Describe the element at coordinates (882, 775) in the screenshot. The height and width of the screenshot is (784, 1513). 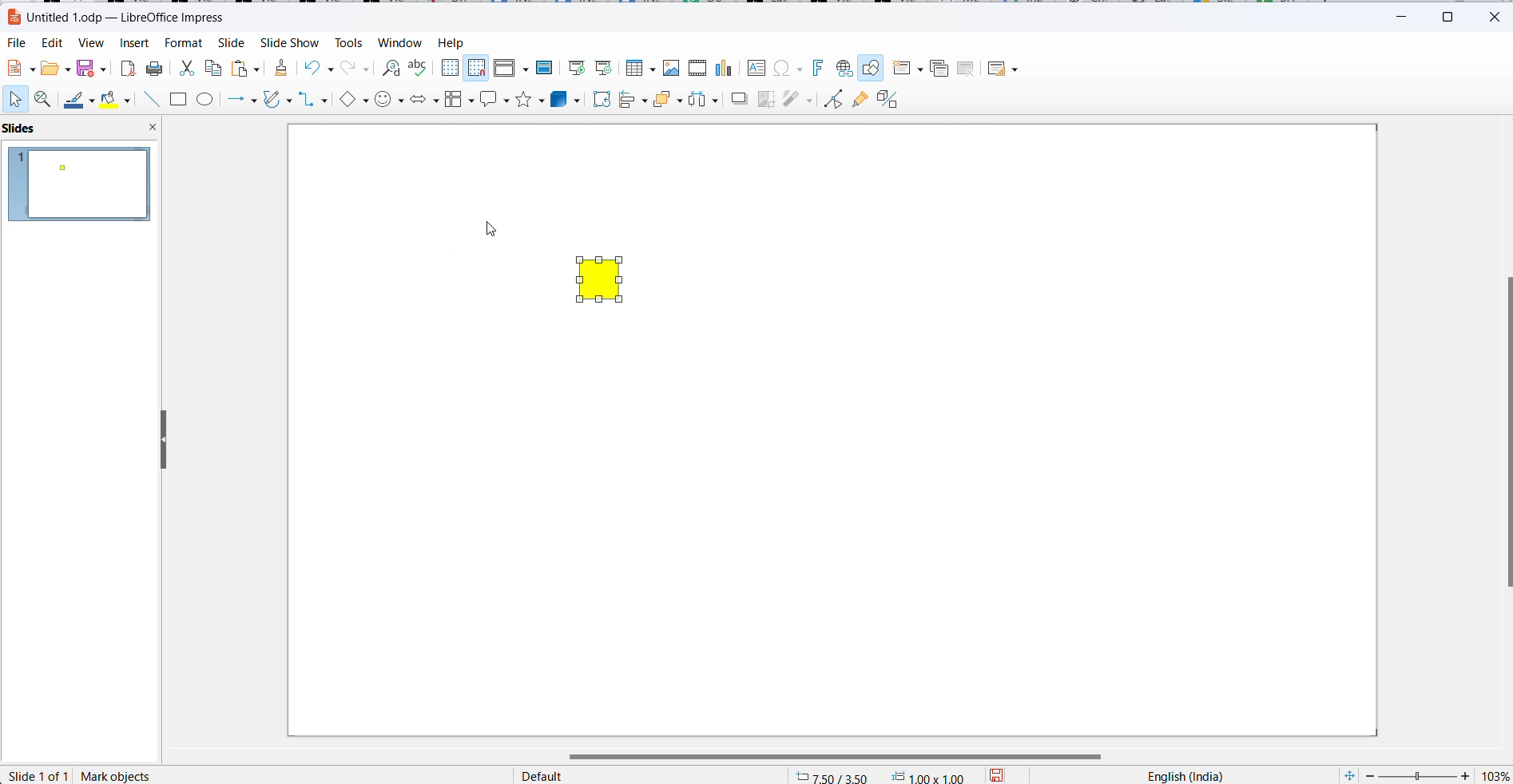
I see `cursor mapping` at that location.